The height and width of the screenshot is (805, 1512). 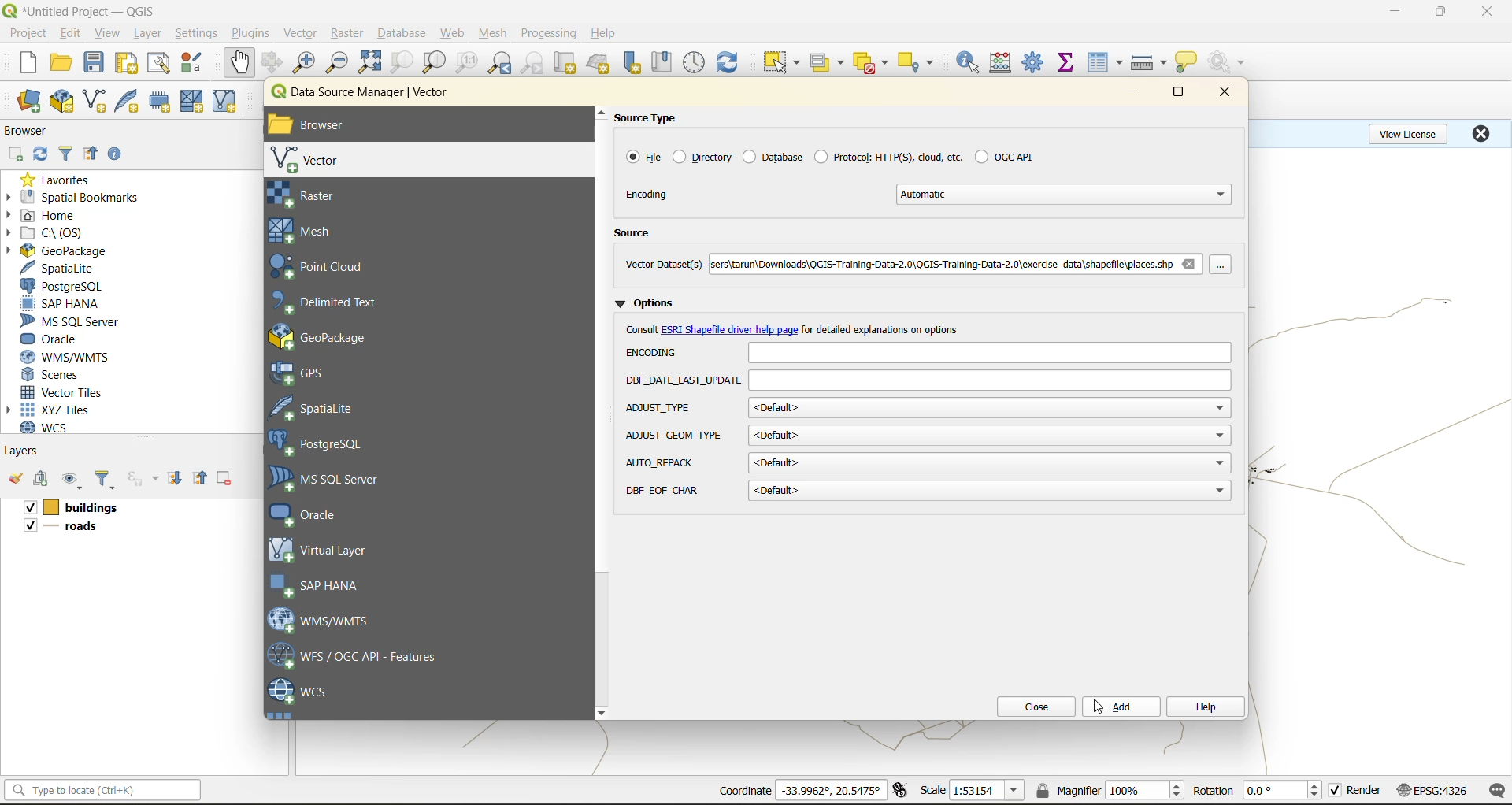 What do you see at coordinates (453, 33) in the screenshot?
I see `web` at bounding box center [453, 33].